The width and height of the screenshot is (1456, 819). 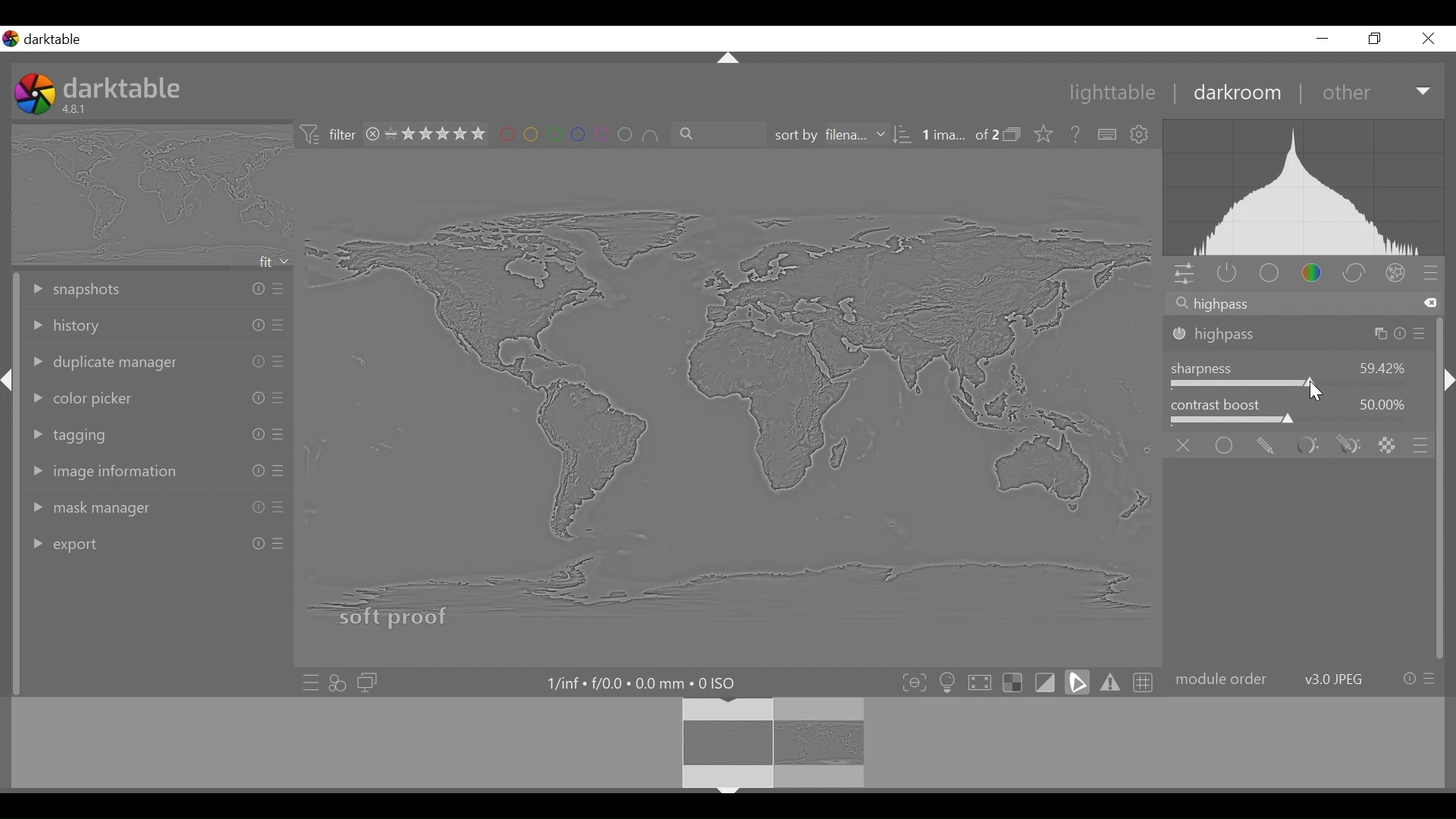 What do you see at coordinates (1307, 444) in the screenshot?
I see `parametric mask` at bounding box center [1307, 444].